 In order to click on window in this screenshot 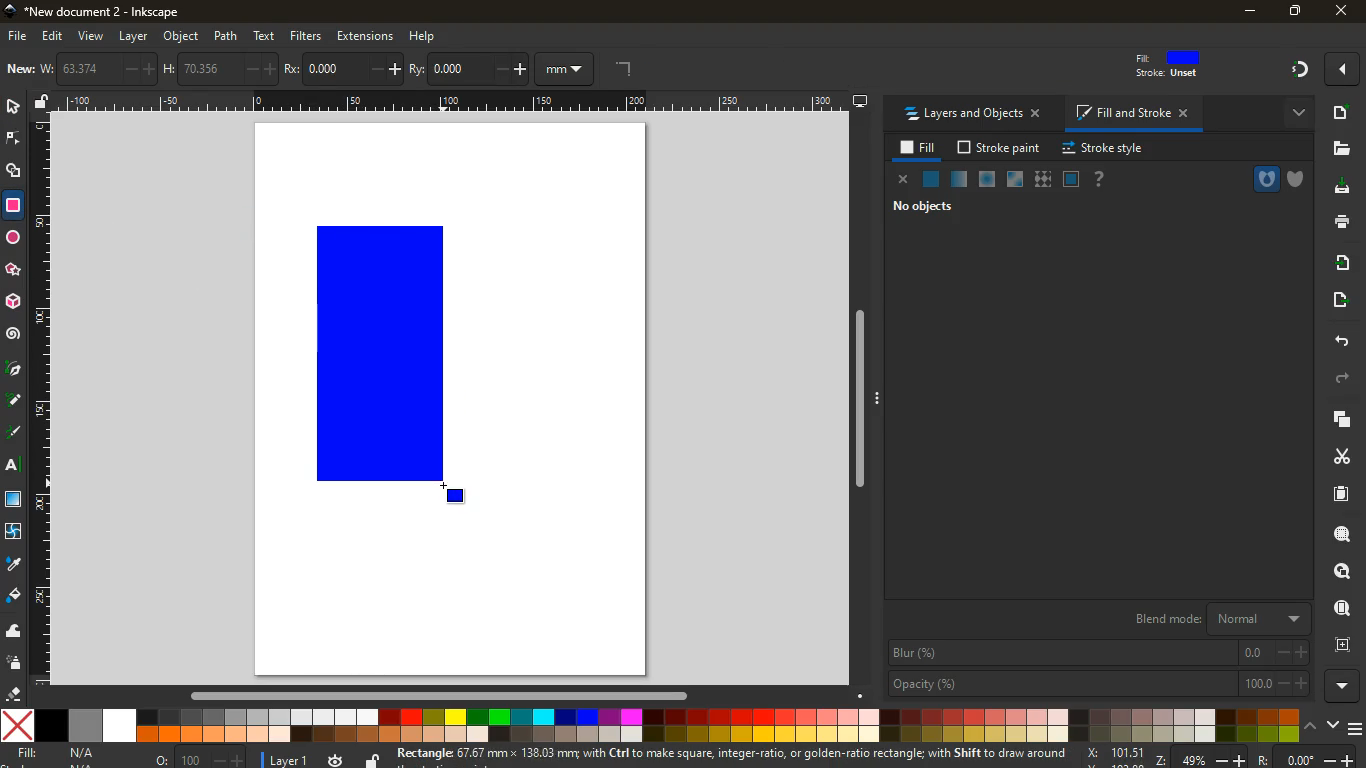, I will do `click(15, 501)`.